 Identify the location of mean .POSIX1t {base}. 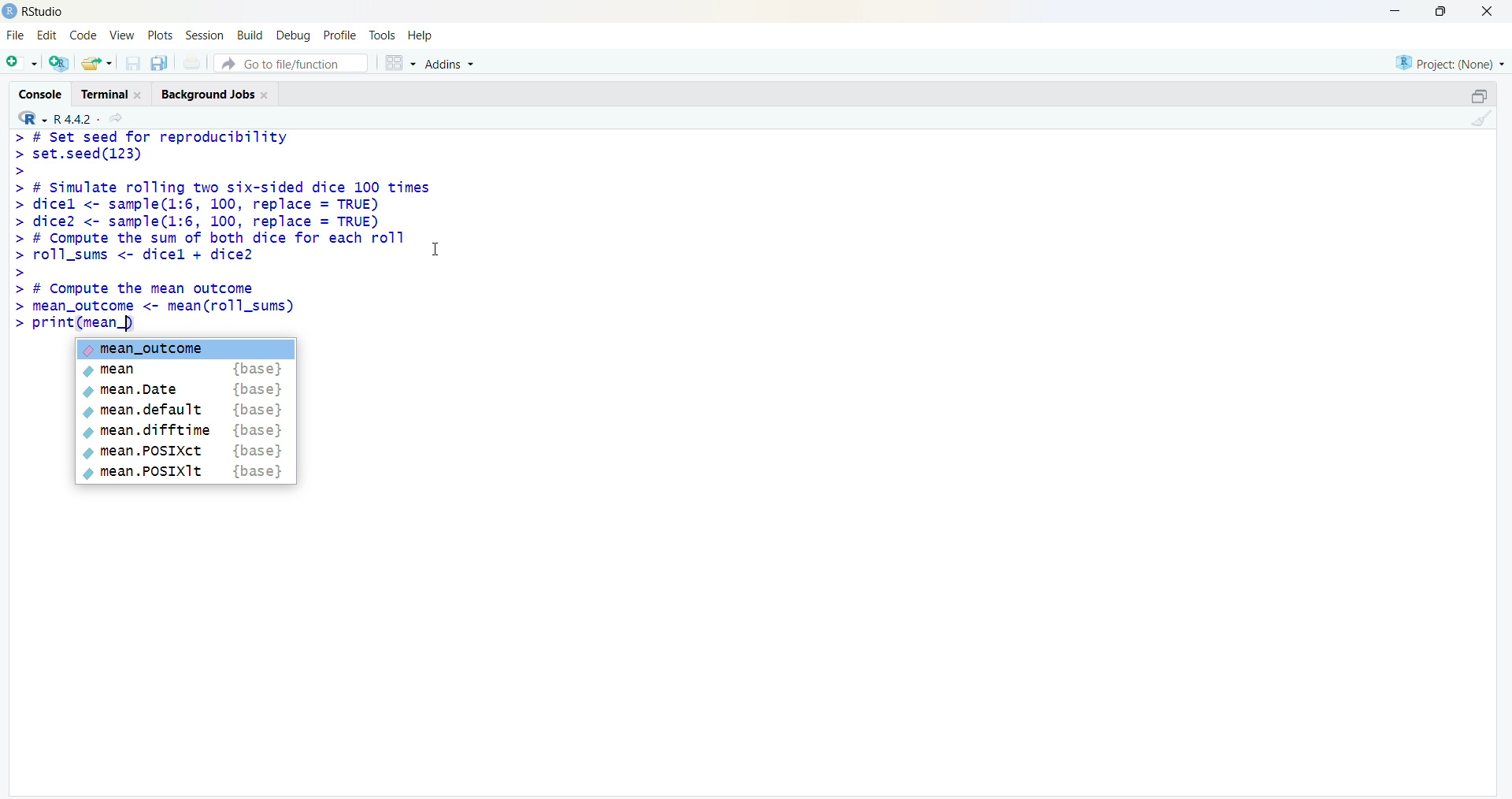
(183, 471).